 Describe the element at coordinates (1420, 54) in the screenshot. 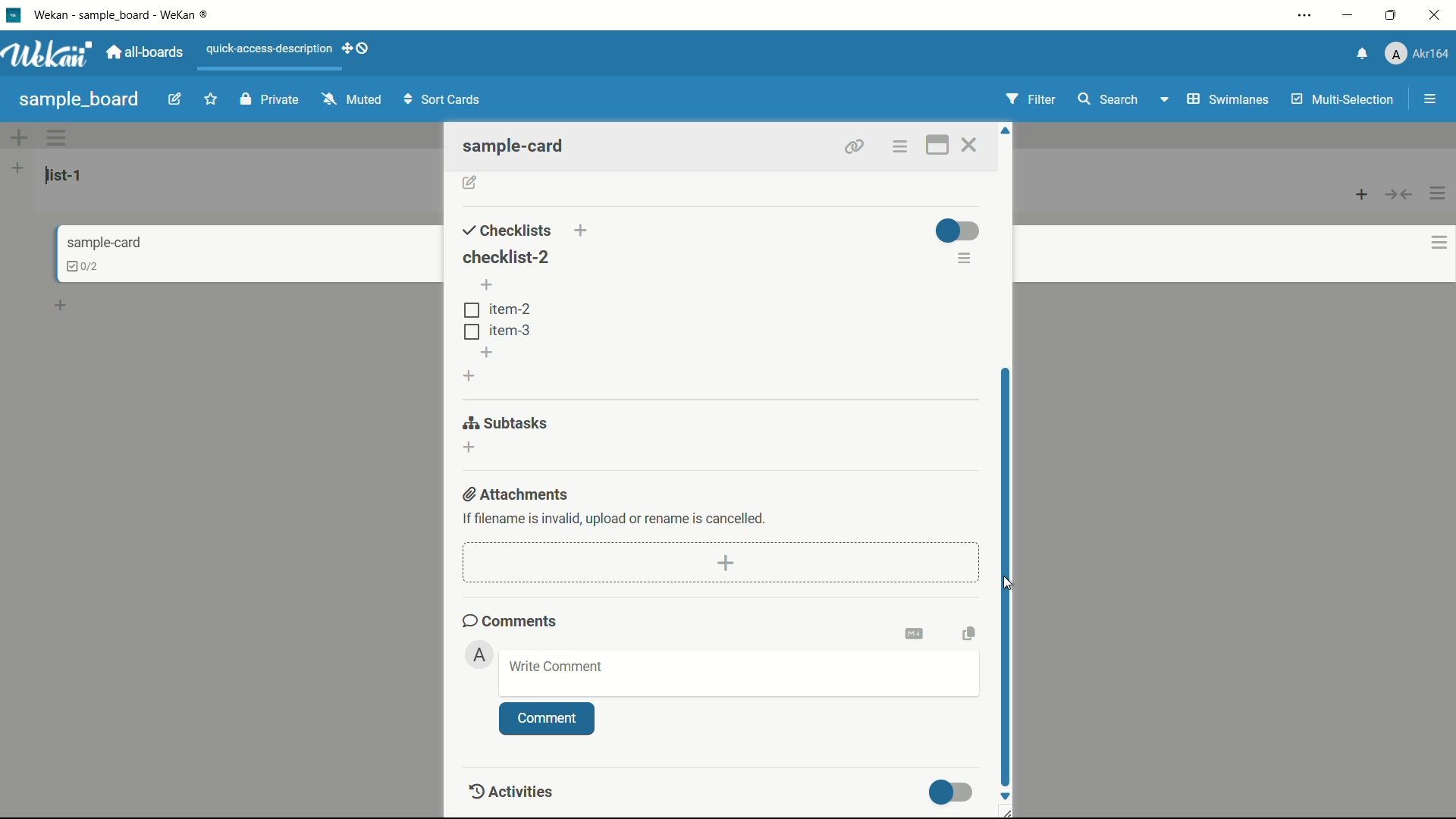

I see `profile` at that location.